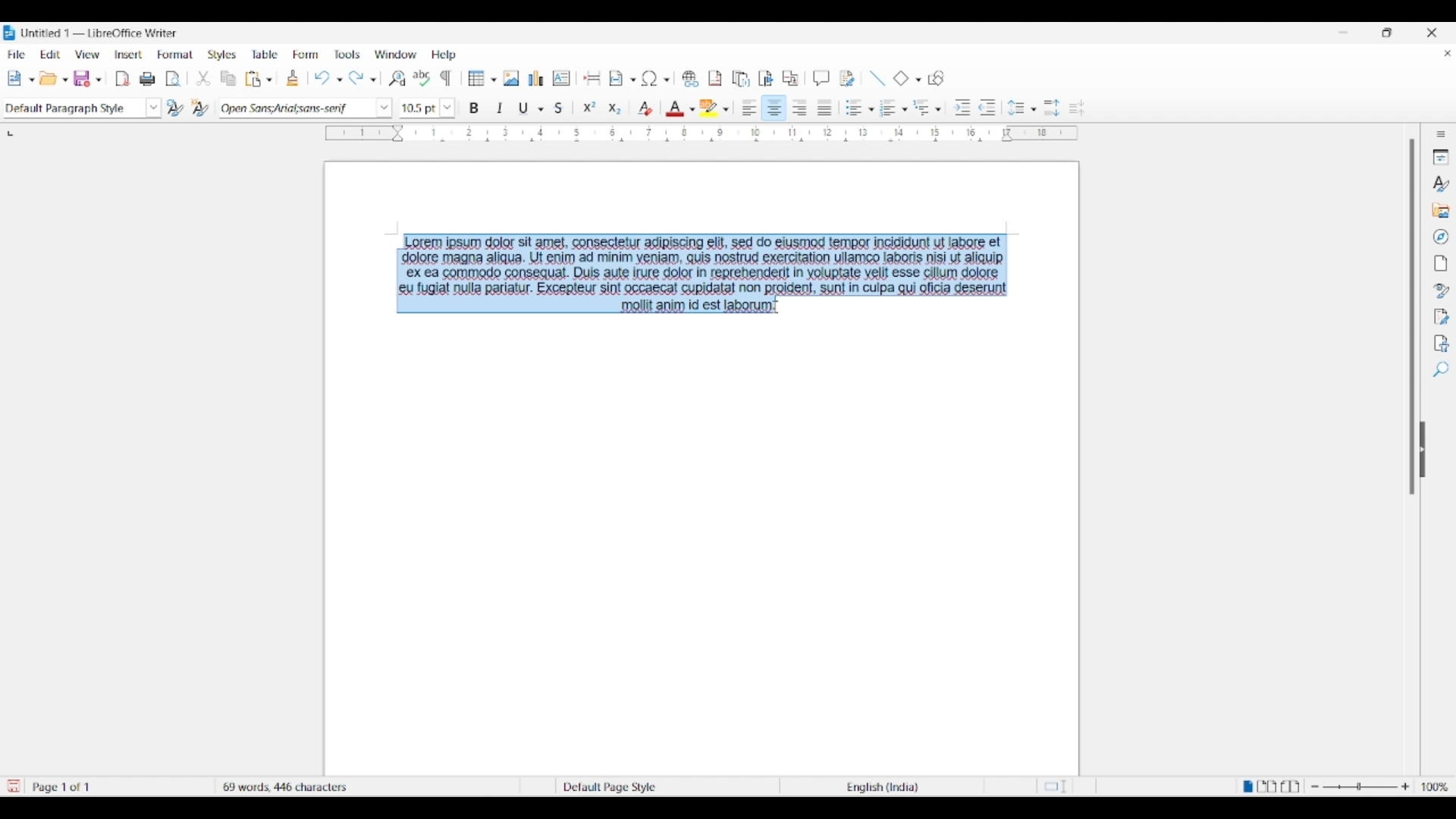 This screenshot has width=1456, height=819. I want to click on 69 words, 446 characters, so click(287, 785).